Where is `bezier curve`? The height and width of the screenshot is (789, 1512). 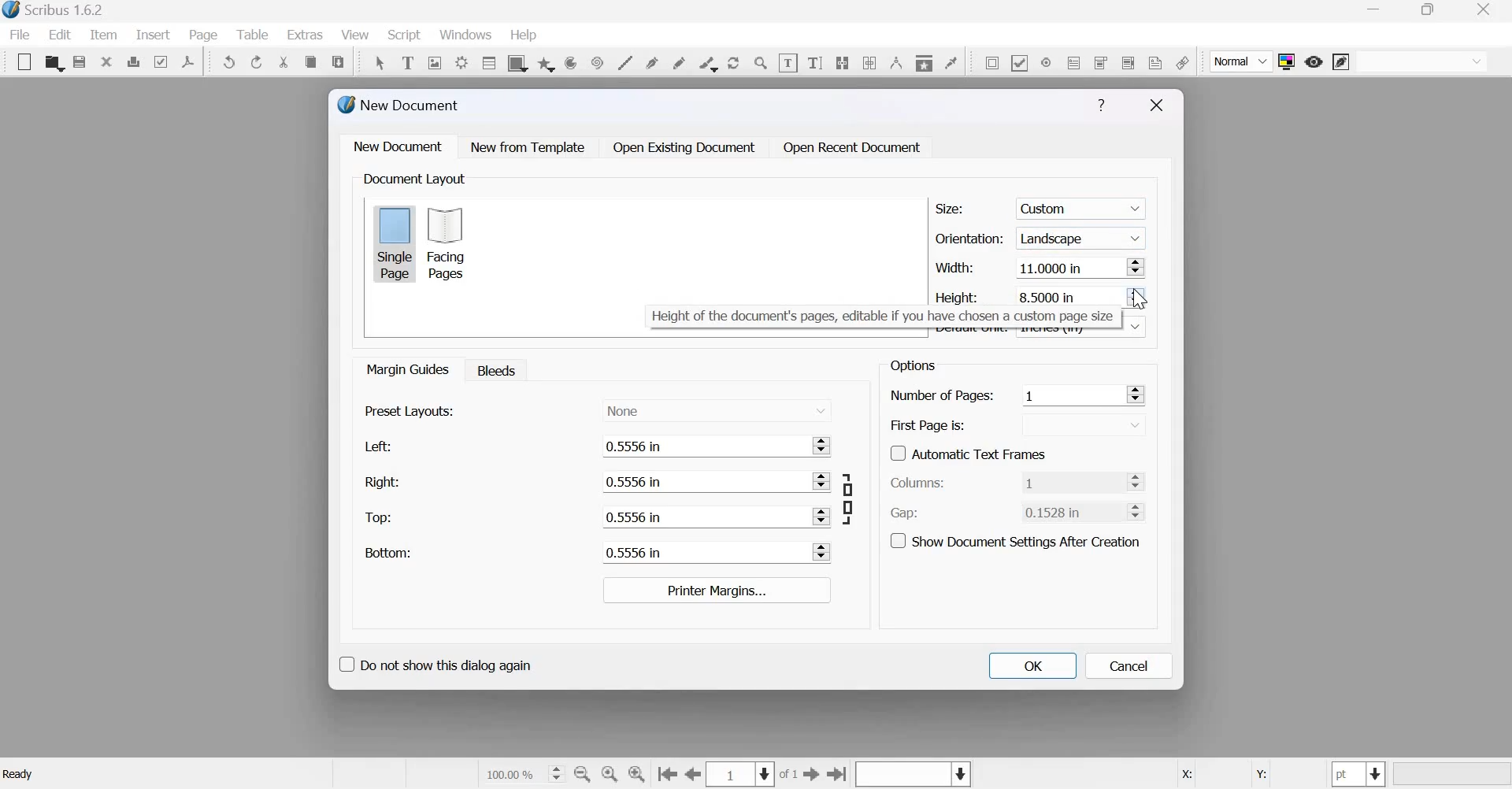
bezier curve is located at coordinates (654, 61).